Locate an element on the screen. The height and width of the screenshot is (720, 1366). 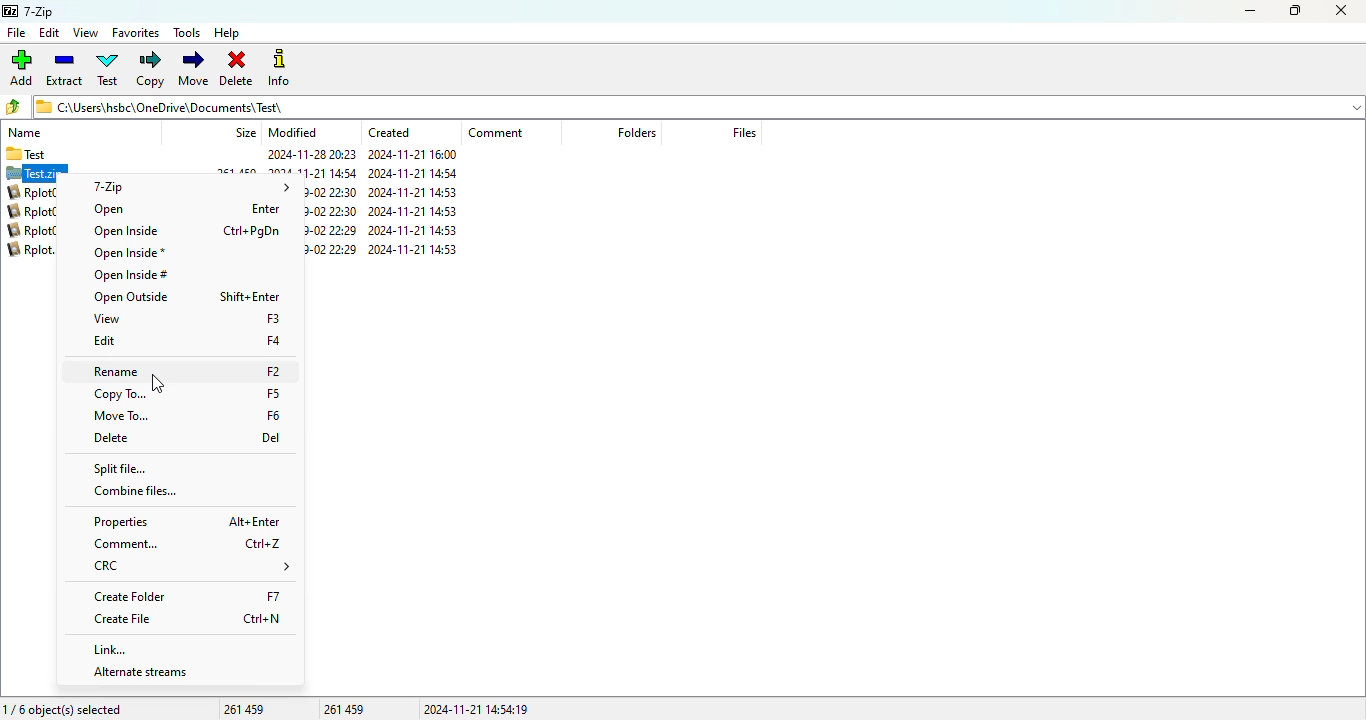
maximize is located at coordinates (1295, 11).